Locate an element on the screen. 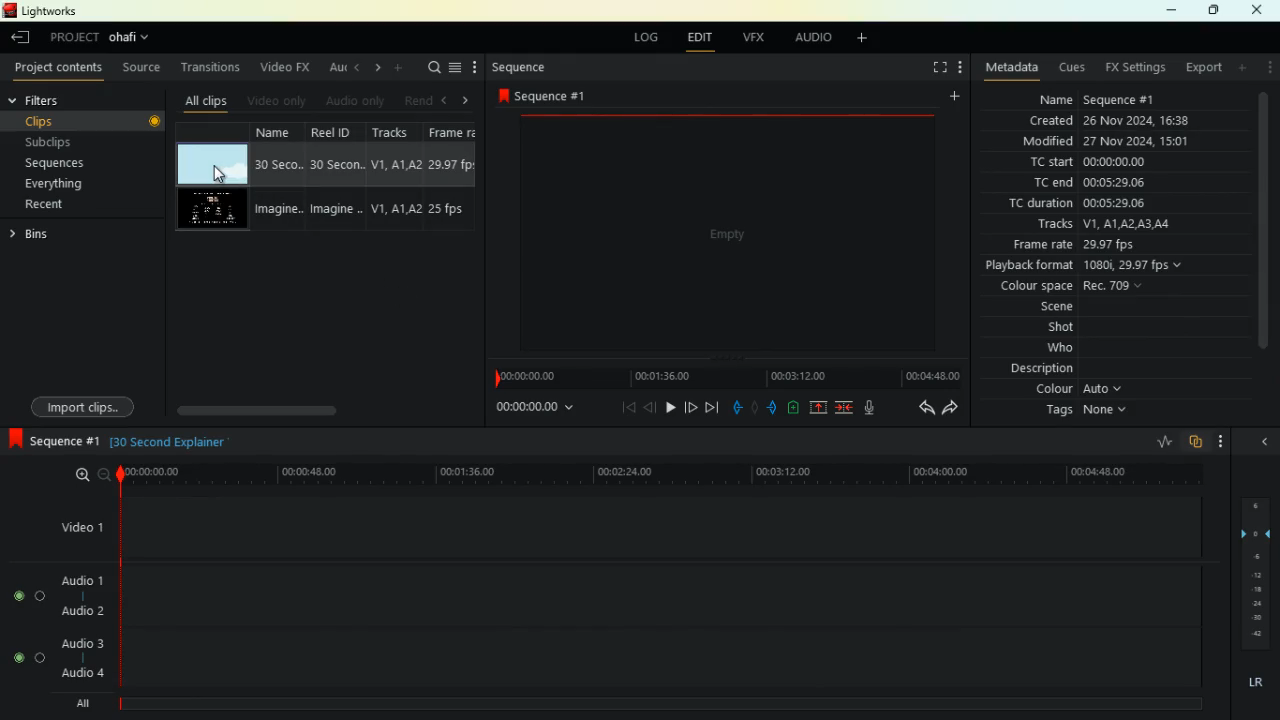  toggle is located at coordinates (19, 596).